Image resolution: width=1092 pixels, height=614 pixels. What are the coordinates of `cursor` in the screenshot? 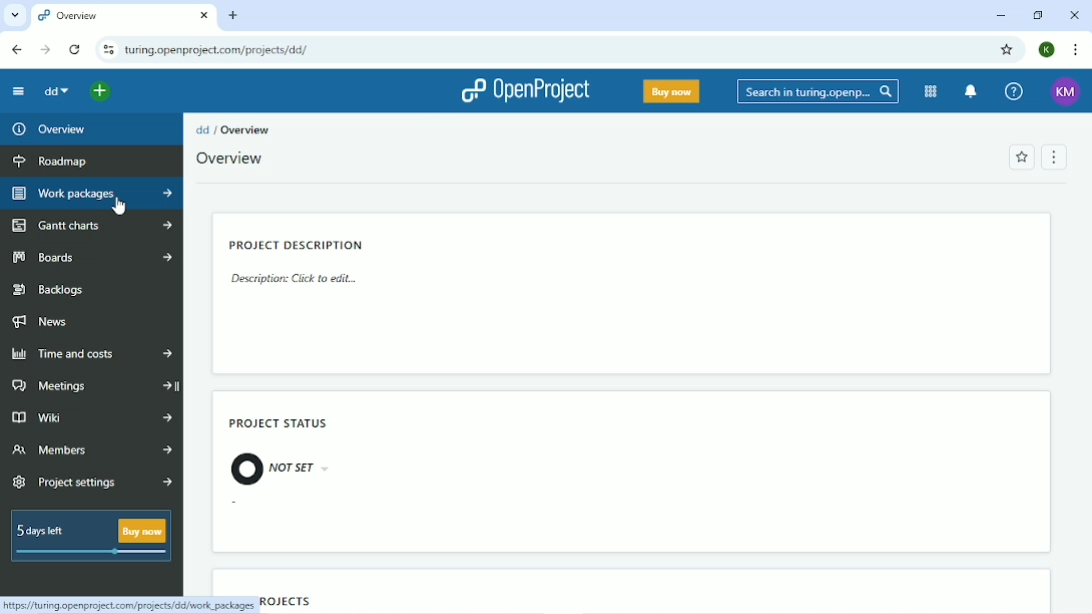 It's located at (115, 205).